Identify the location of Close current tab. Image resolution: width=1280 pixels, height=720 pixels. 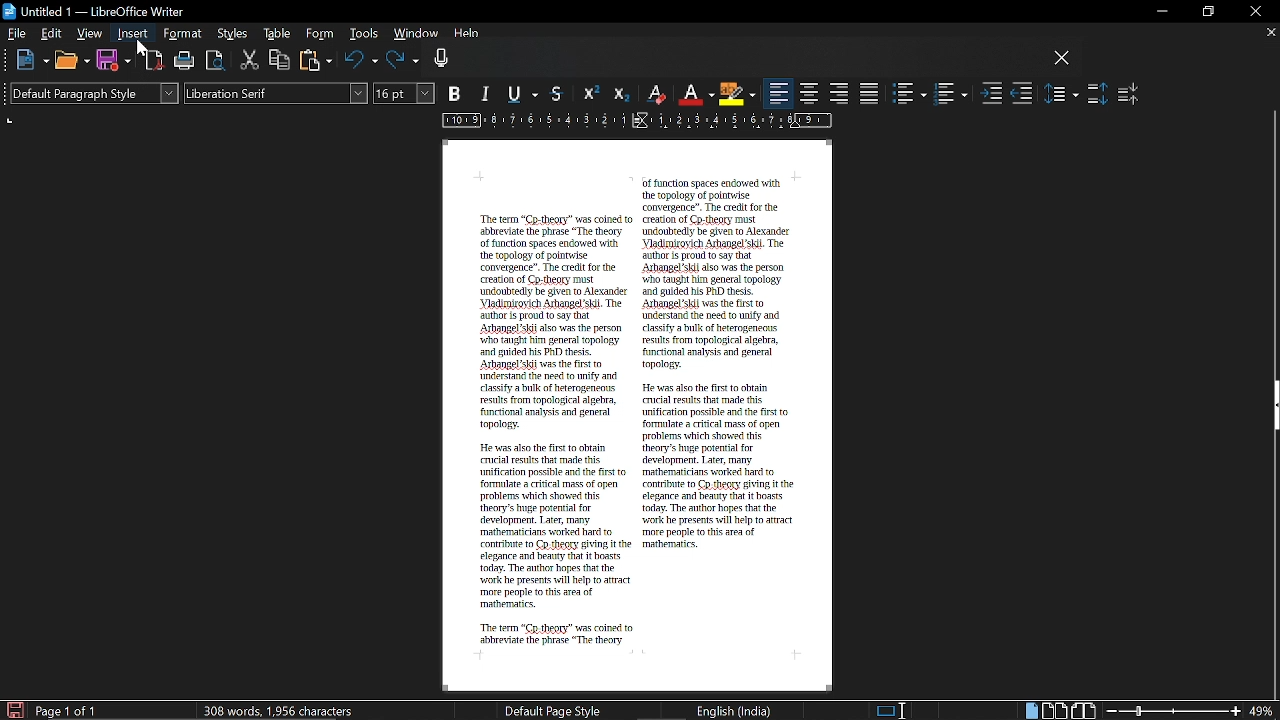
(1270, 32).